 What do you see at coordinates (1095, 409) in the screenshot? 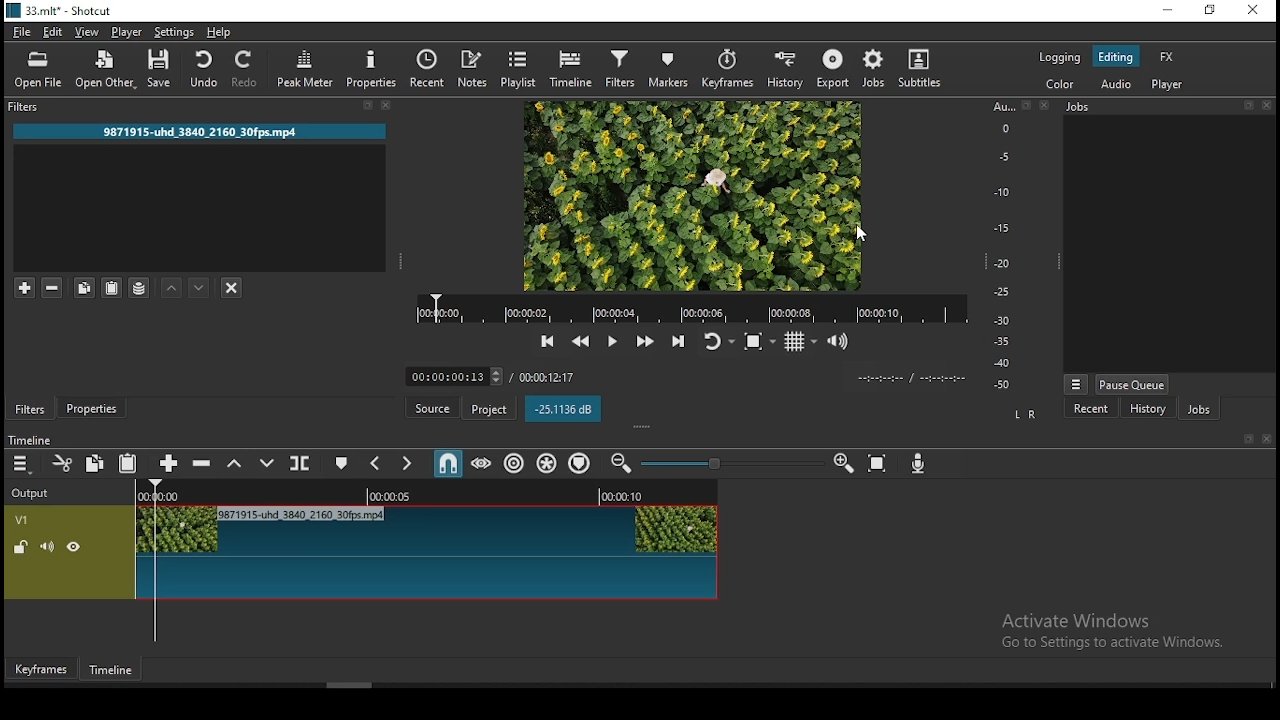
I see `recent` at bounding box center [1095, 409].